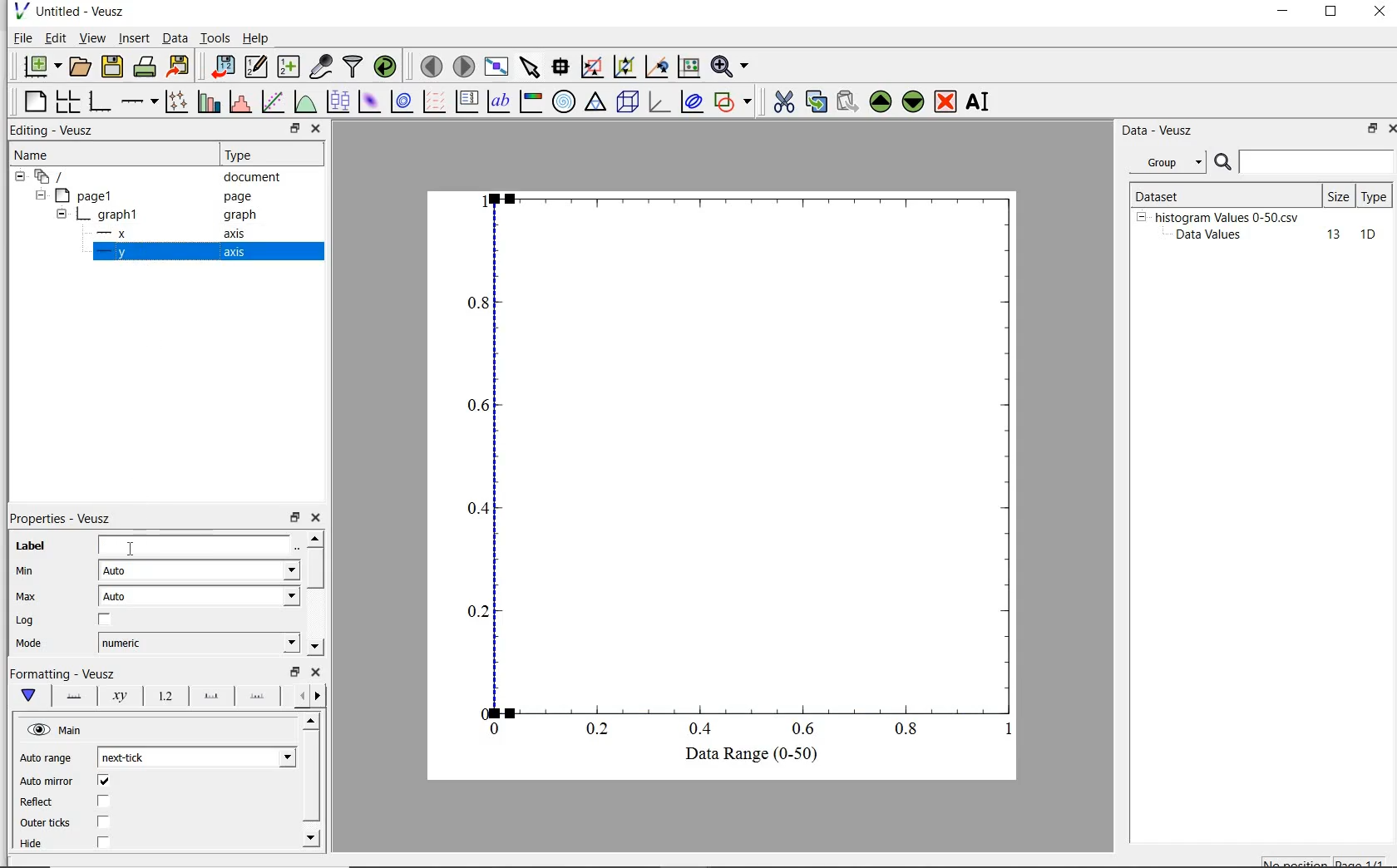 Image resolution: width=1397 pixels, height=868 pixels. What do you see at coordinates (1184, 194) in the screenshot?
I see `Dataset` at bounding box center [1184, 194].